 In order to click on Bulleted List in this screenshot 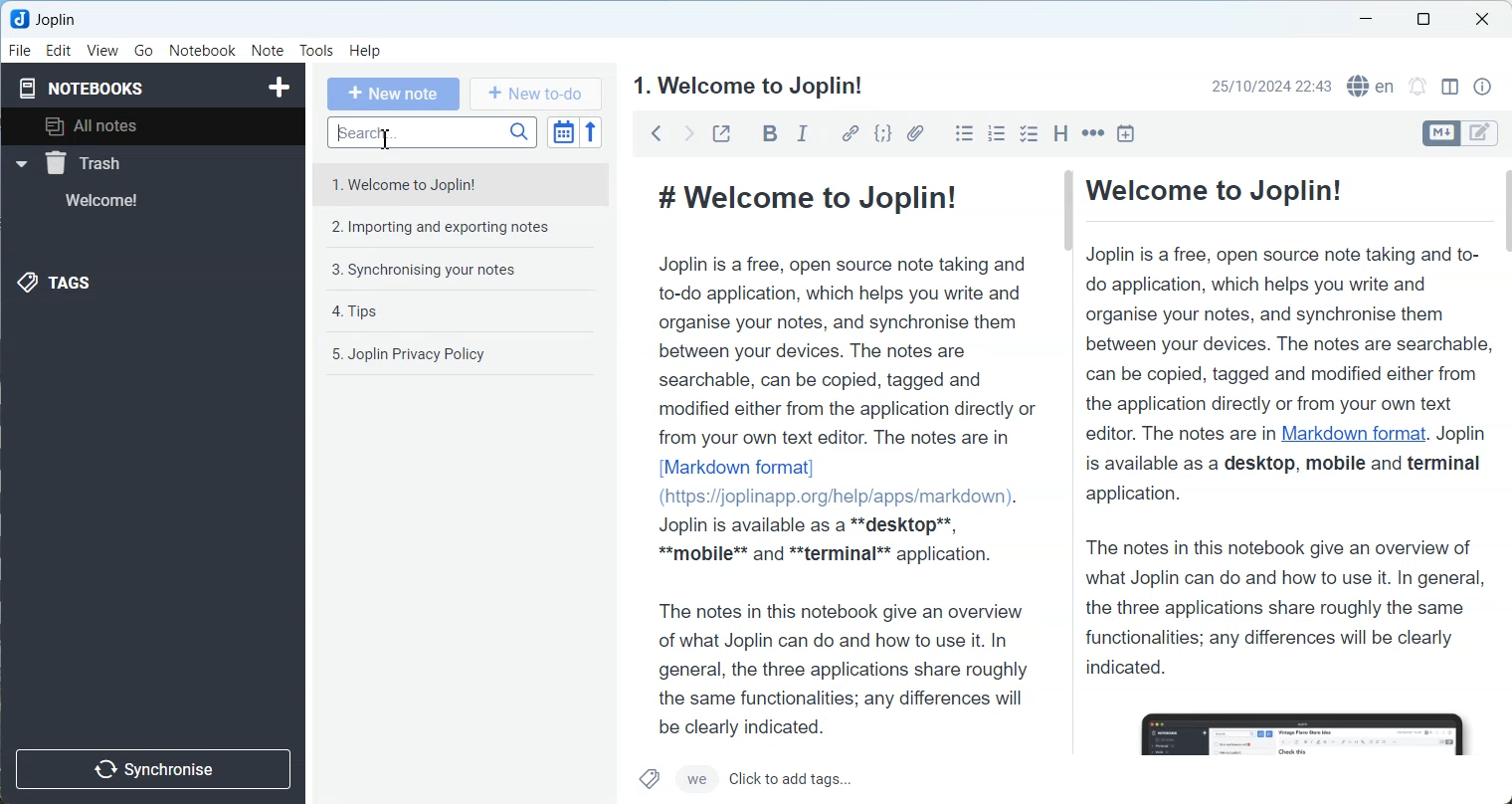, I will do `click(964, 133)`.